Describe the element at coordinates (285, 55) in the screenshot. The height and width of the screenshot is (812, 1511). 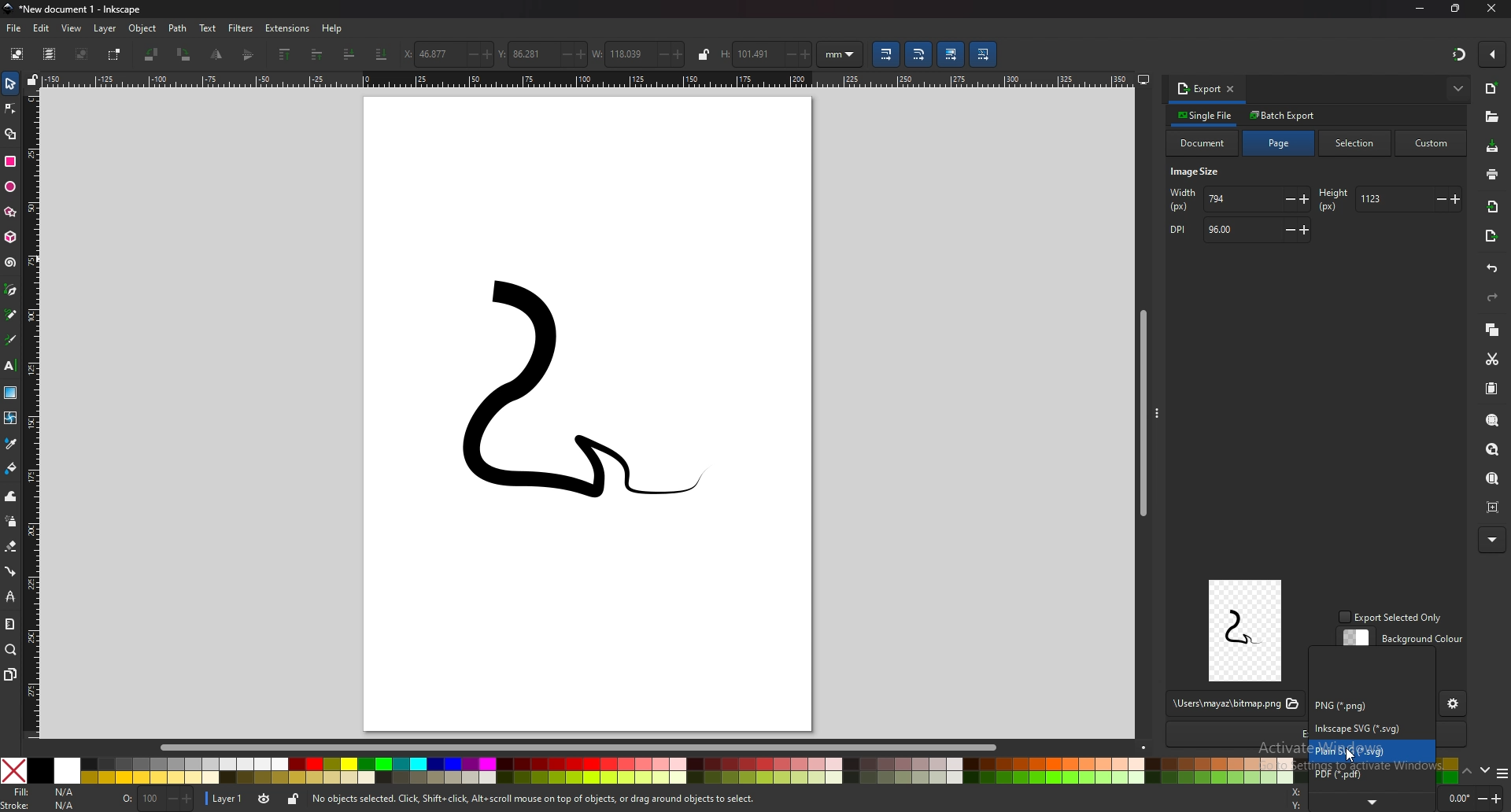
I see `raise selection to top` at that location.